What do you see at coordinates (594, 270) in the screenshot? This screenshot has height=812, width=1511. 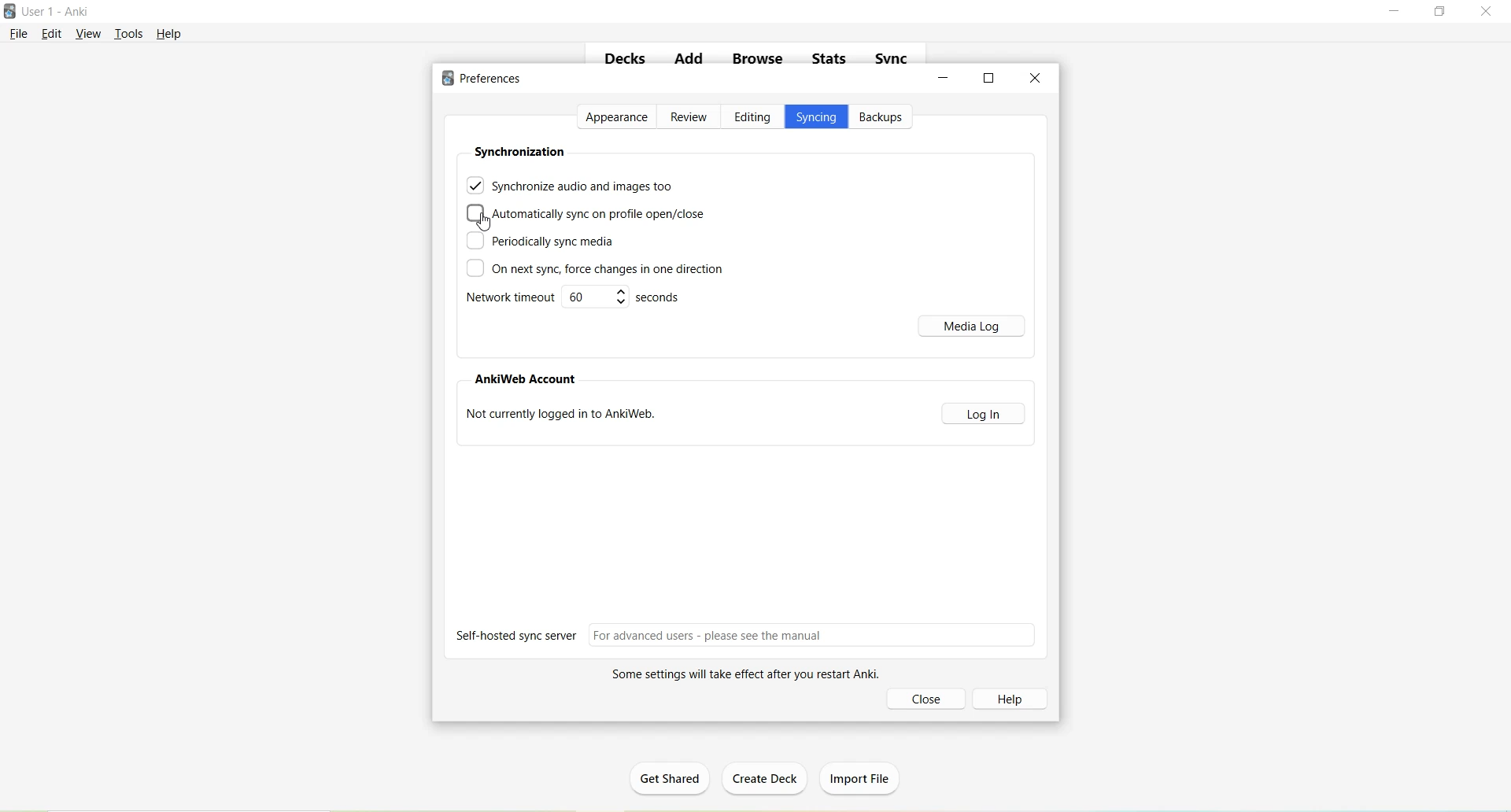 I see `On next sync, force changes in one direction` at bounding box center [594, 270].